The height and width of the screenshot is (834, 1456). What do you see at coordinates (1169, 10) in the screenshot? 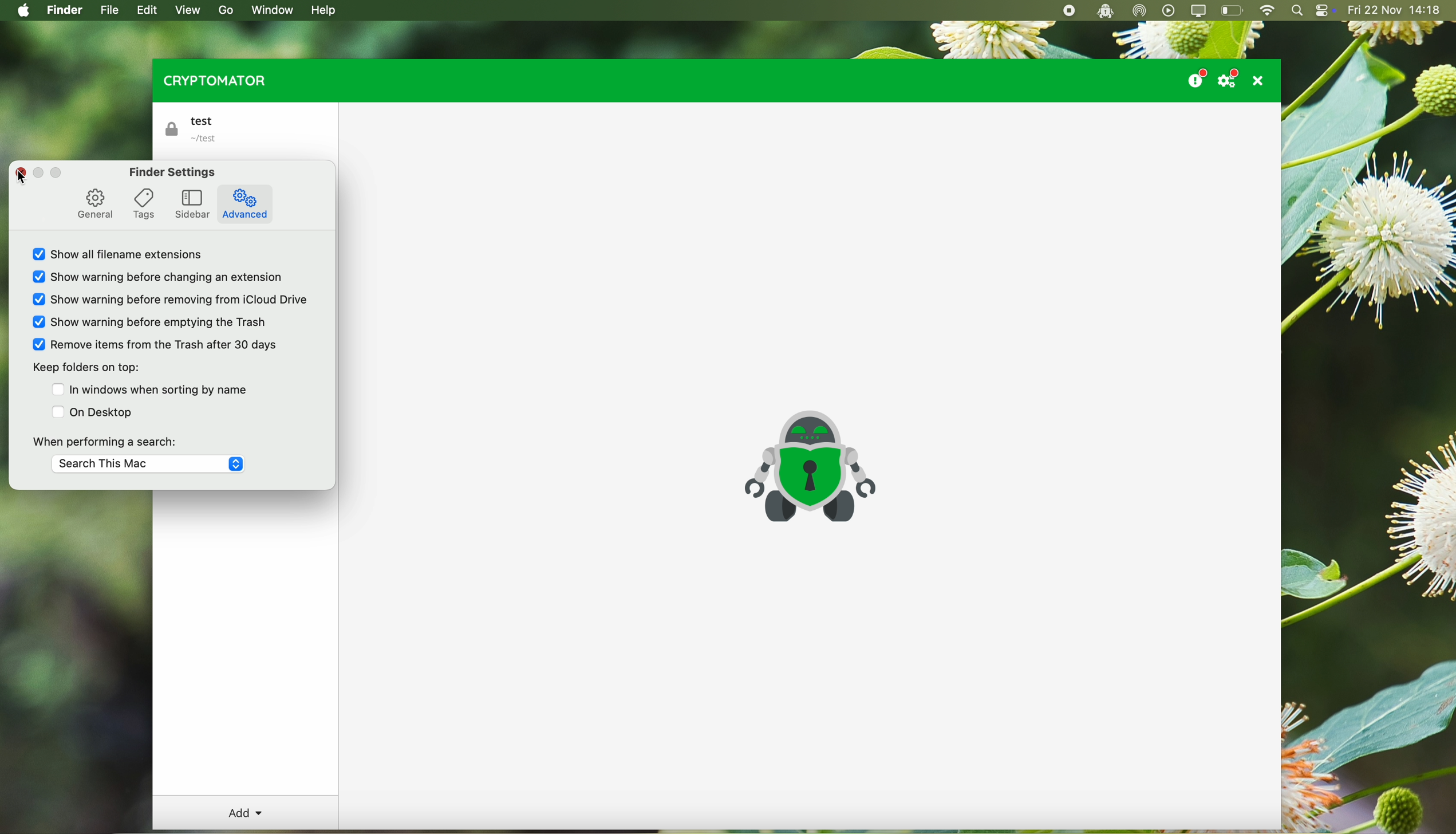
I see `play` at bounding box center [1169, 10].